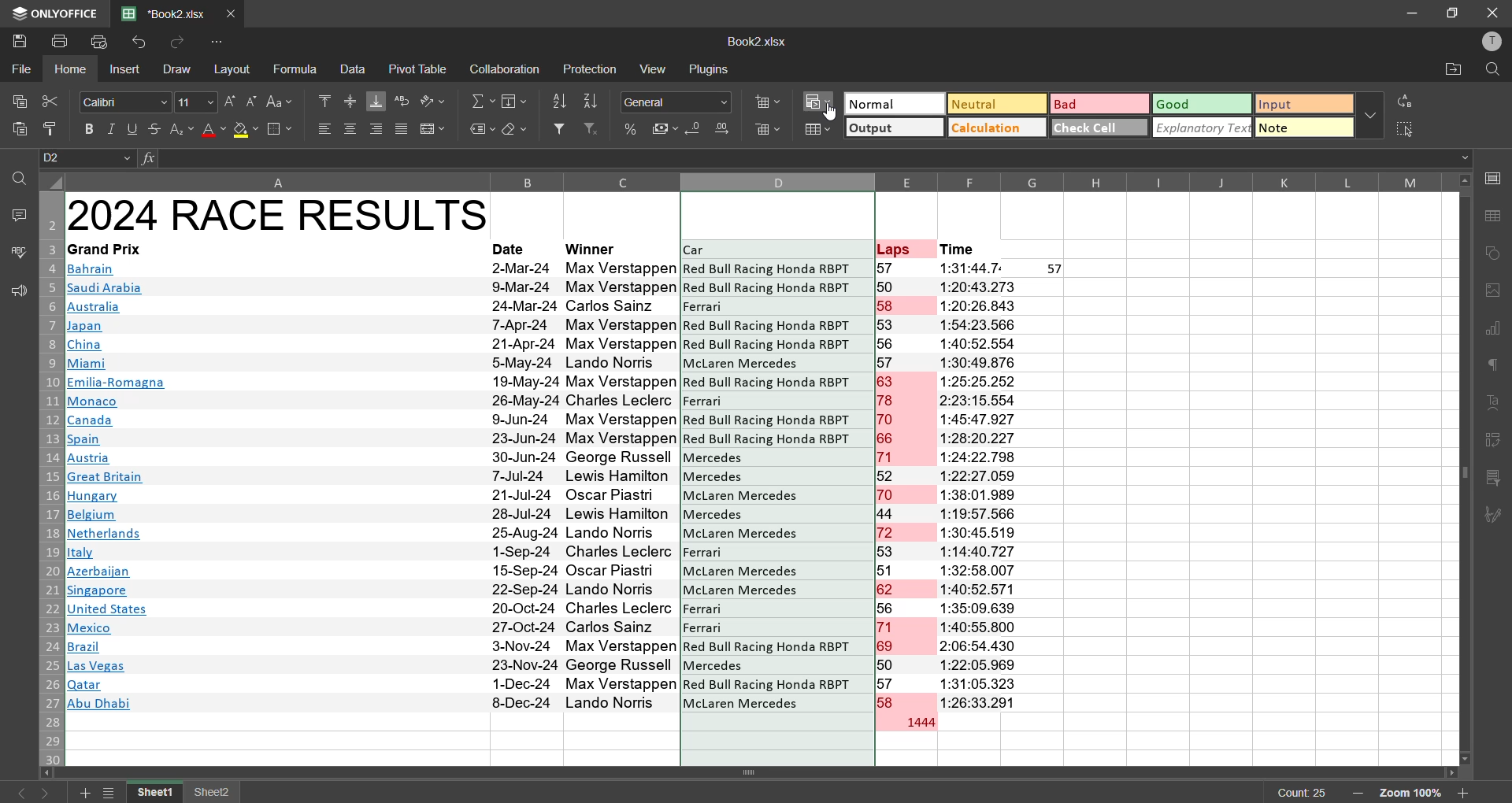 The image size is (1512, 803). Describe the element at coordinates (483, 102) in the screenshot. I see `summation` at that location.